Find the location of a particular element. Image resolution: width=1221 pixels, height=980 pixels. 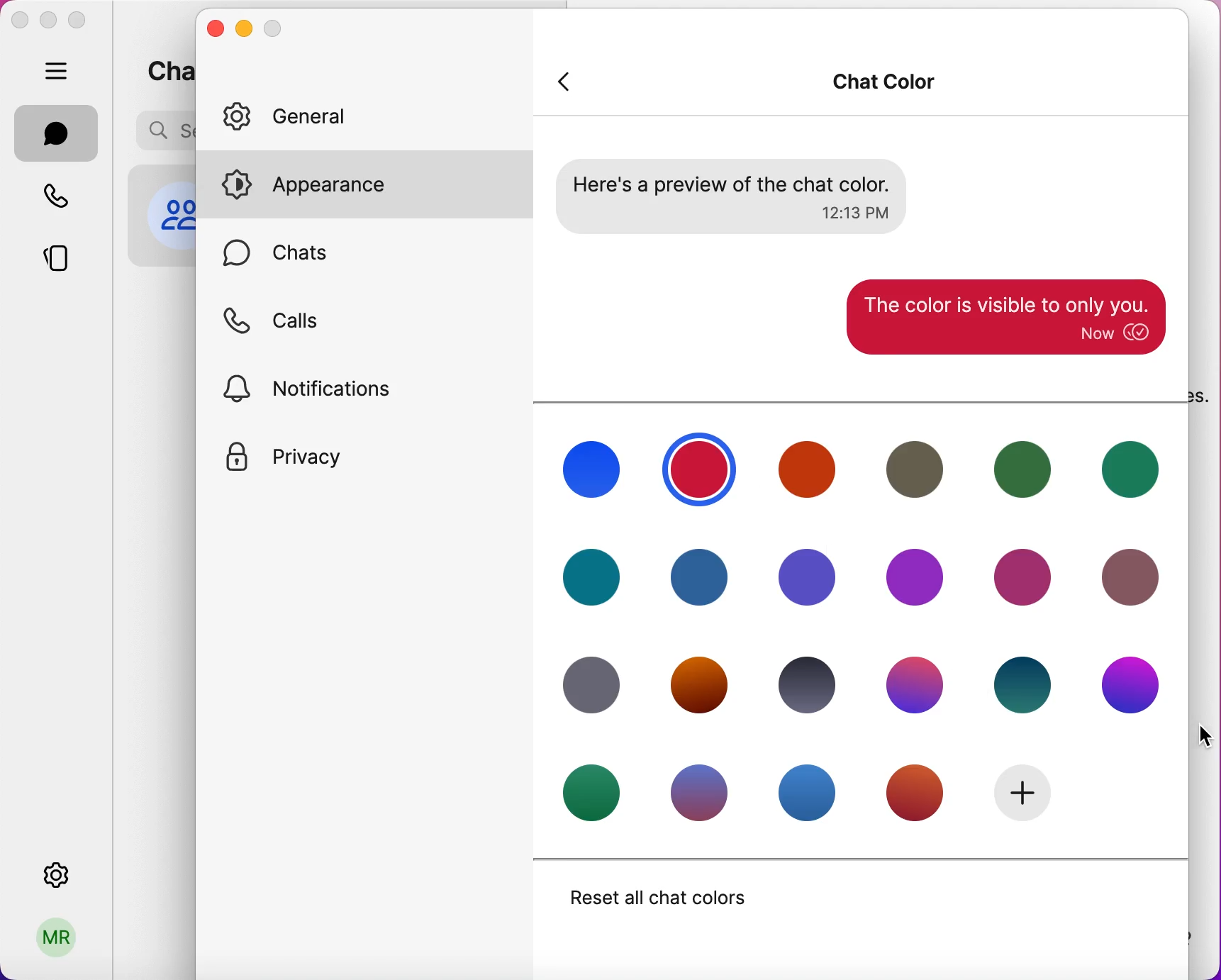

cursor is located at coordinates (1204, 735).